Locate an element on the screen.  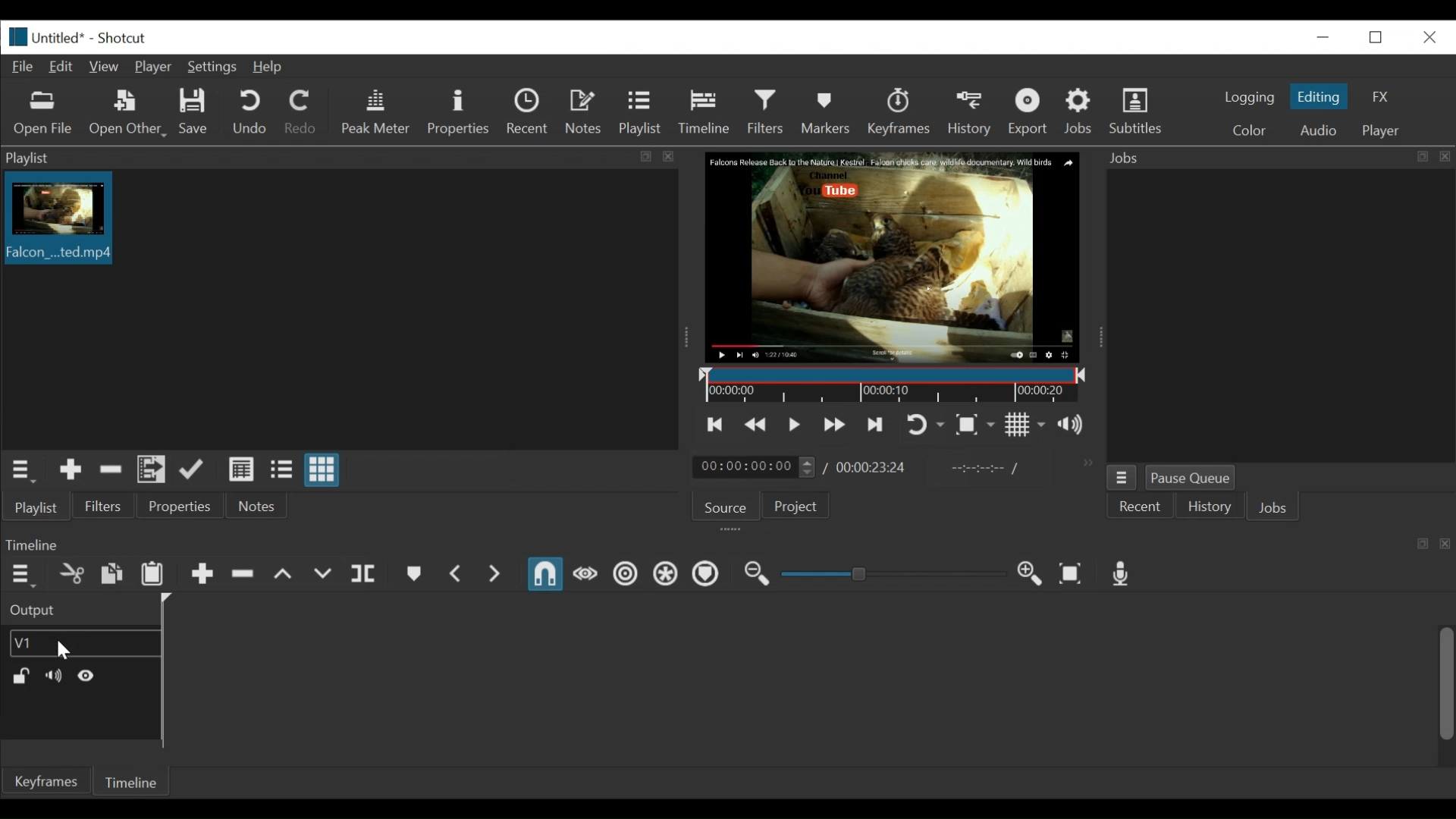
Open file is located at coordinates (42, 115).